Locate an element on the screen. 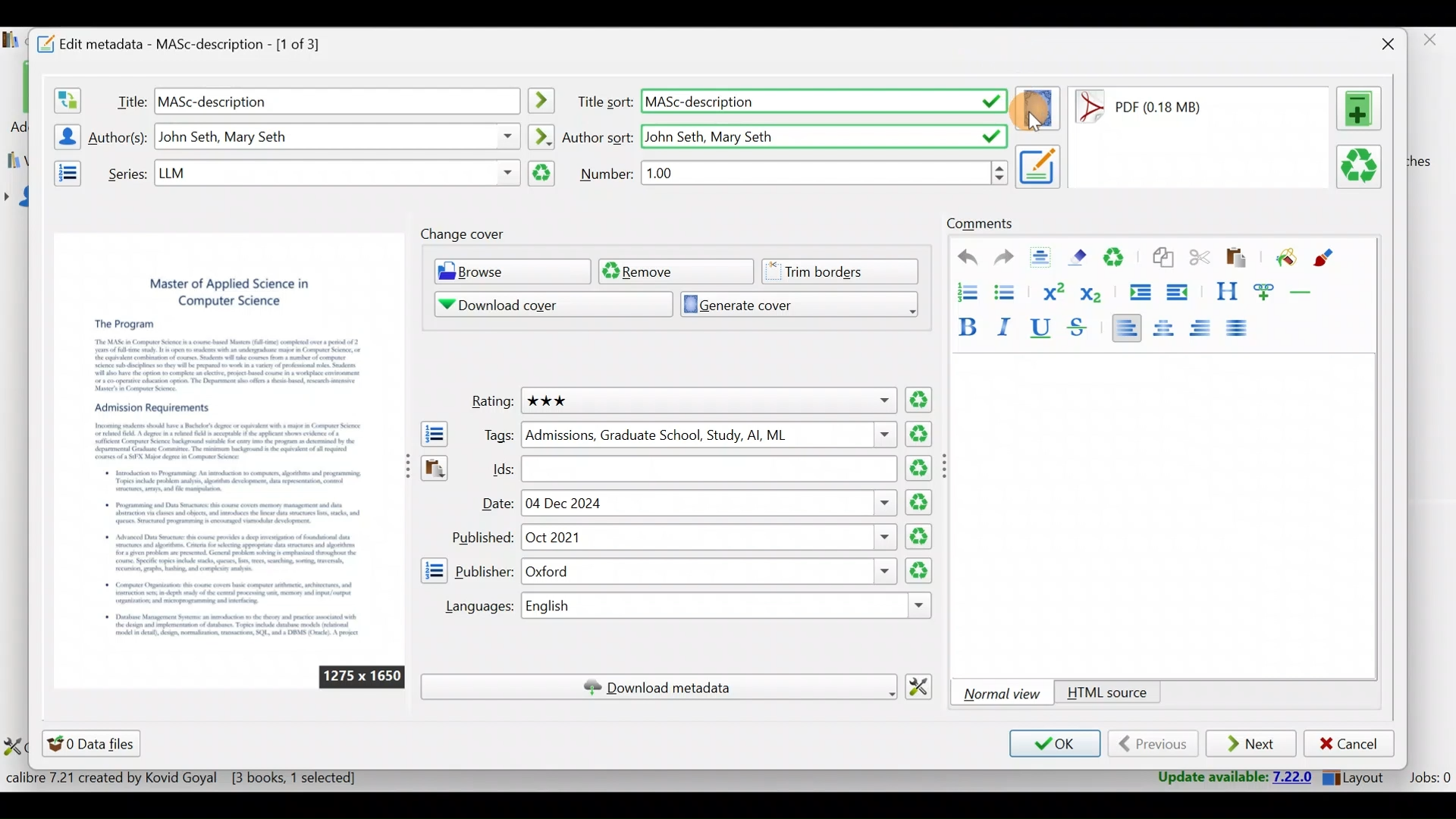 The height and width of the screenshot is (819, 1456). Books count is located at coordinates (185, 778).